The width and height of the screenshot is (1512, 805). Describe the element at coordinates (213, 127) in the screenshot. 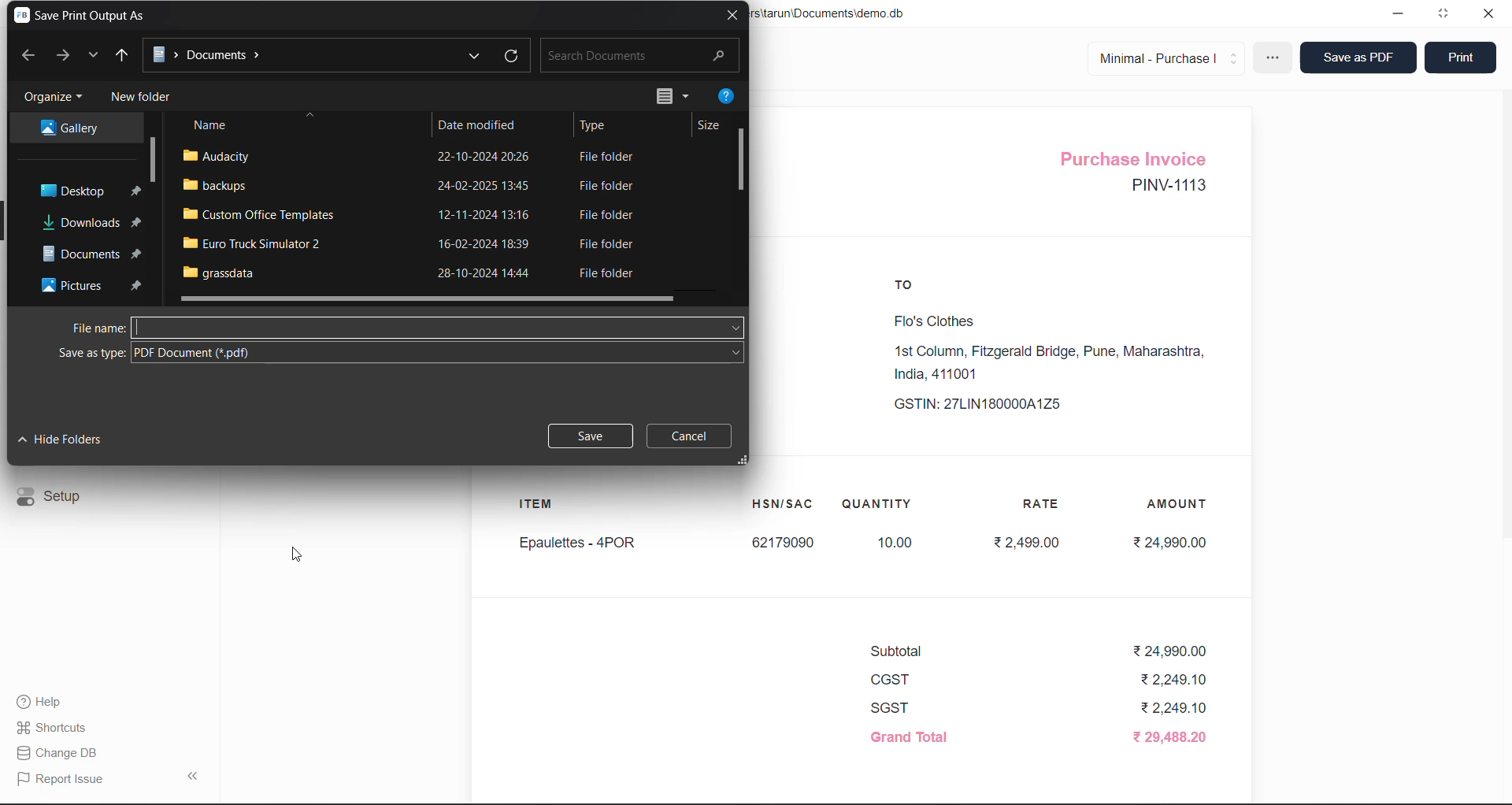

I see `Name` at that location.